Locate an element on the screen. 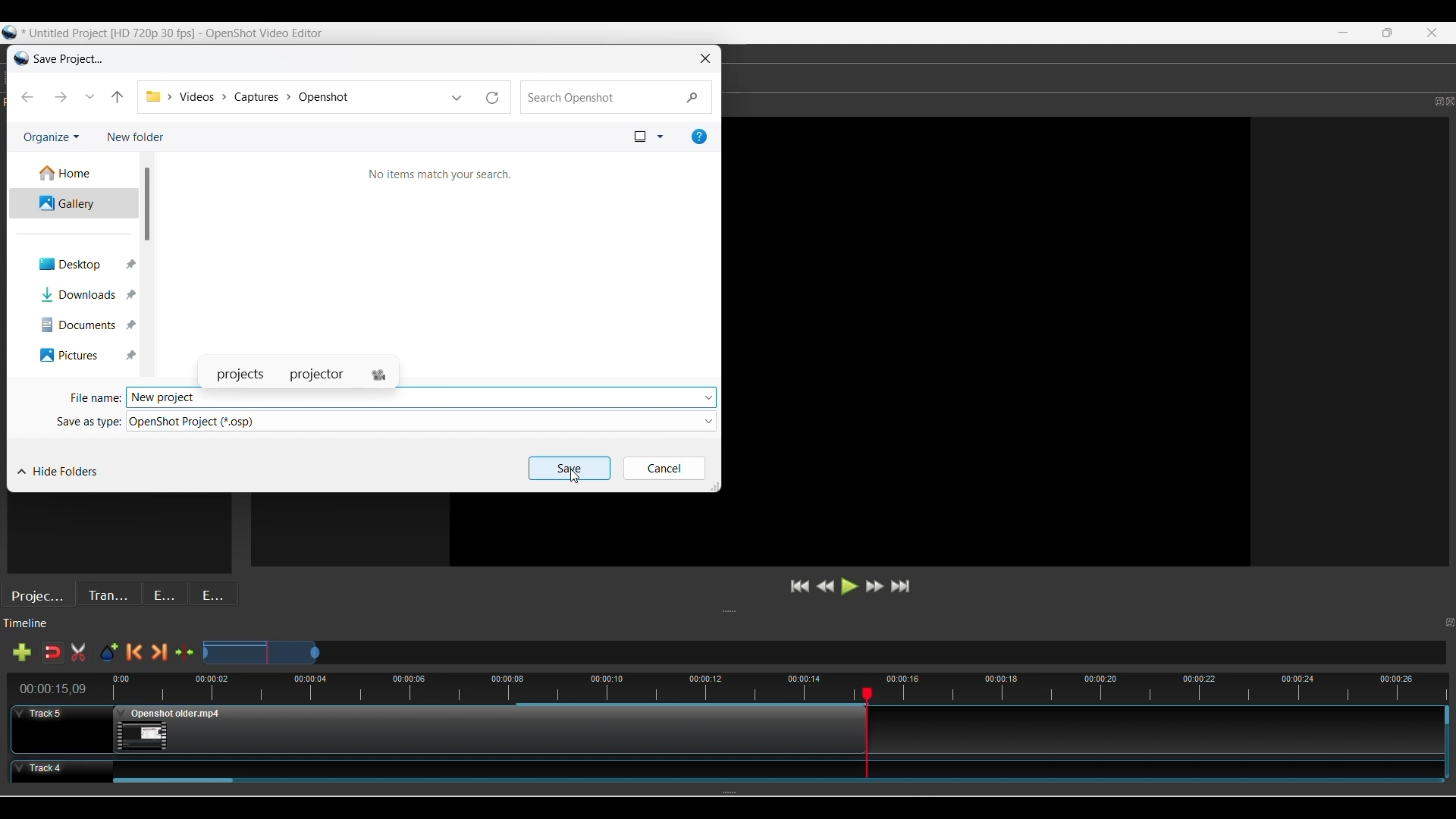 The width and height of the screenshot is (1456, 819). Fastforward is located at coordinates (875, 586).